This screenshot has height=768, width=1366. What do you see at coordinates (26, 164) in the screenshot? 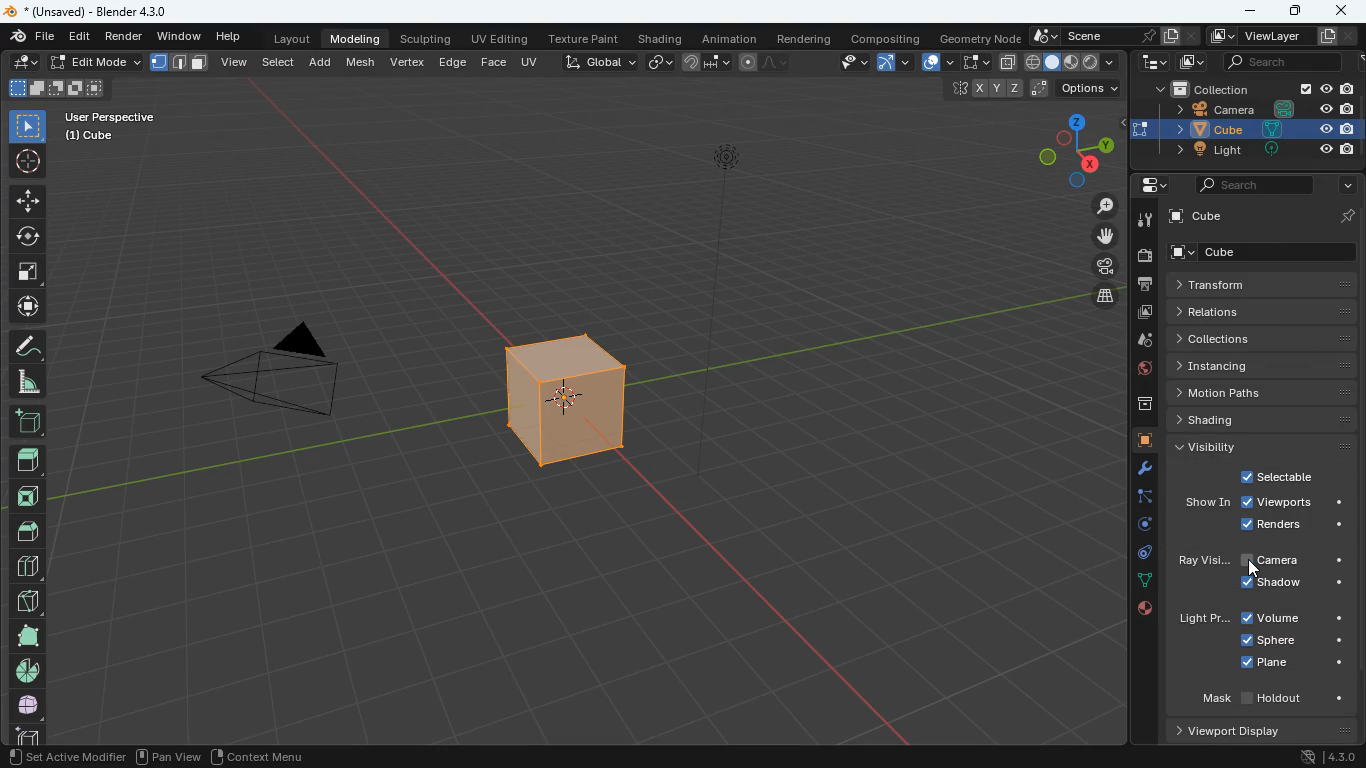
I see `aim` at bounding box center [26, 164].